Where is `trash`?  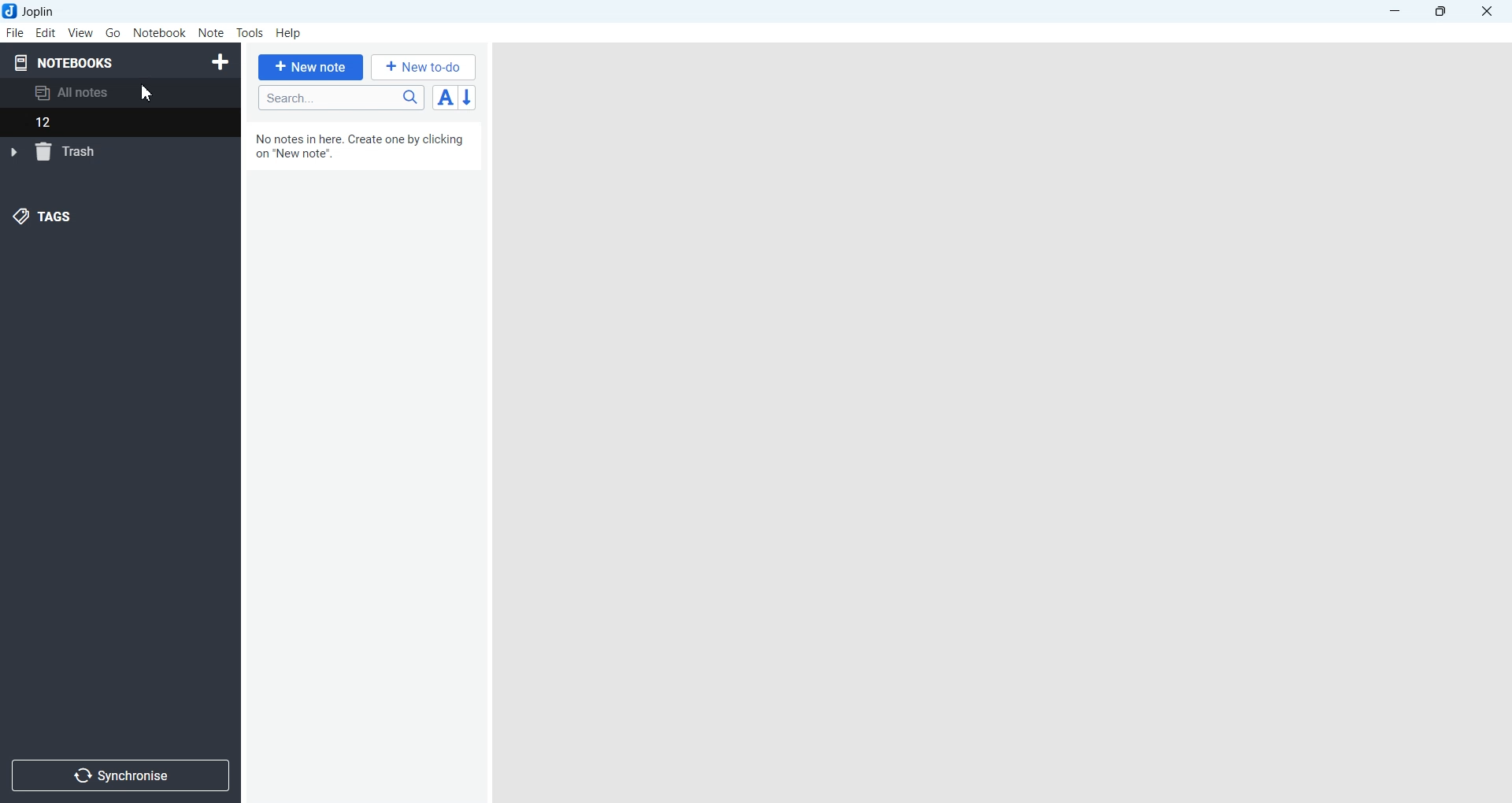
trash is located at coordinates (57, 154).